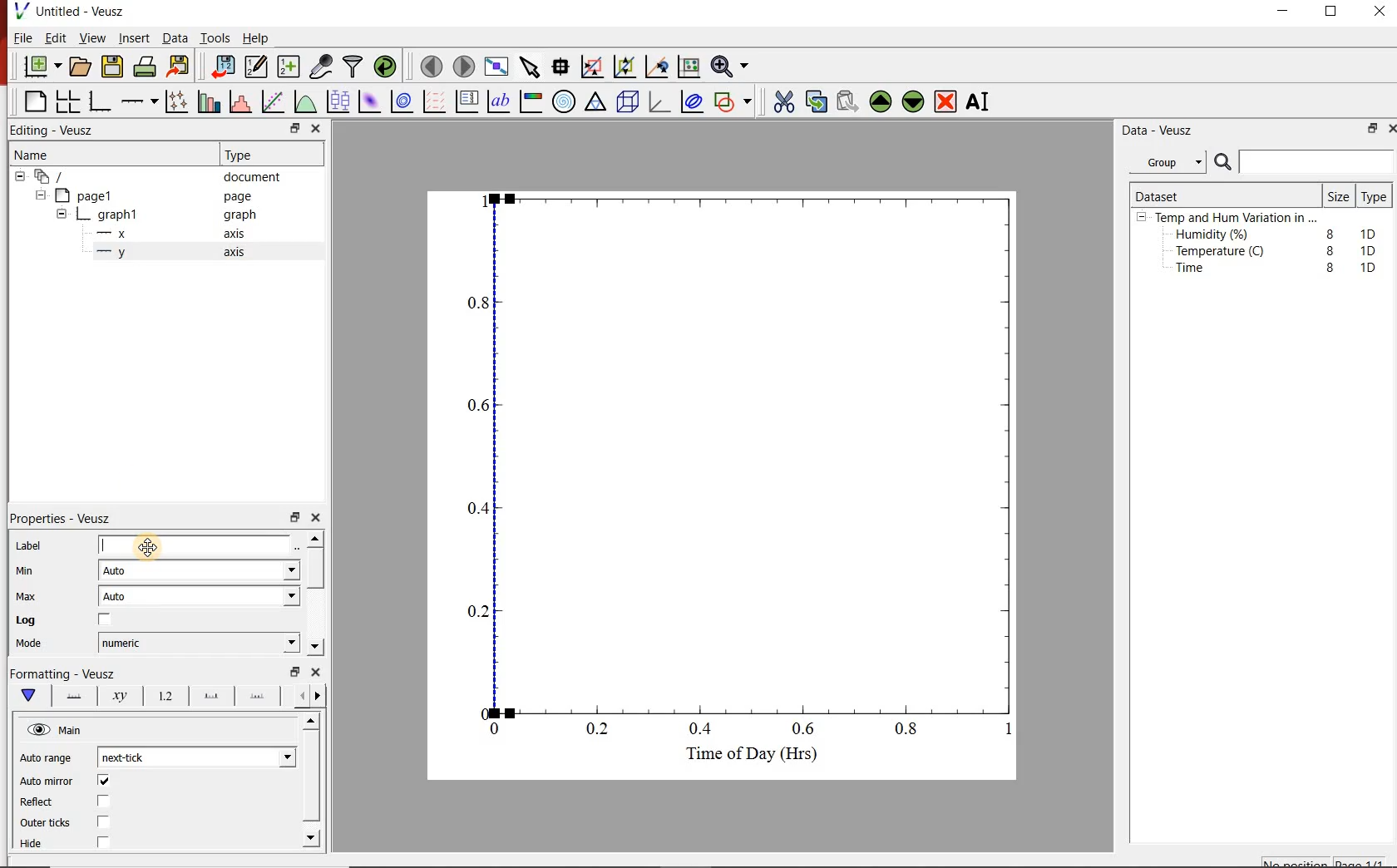  What do you see at coordinates (18, 179) in the screenshot?
I see `hide sub menu` at bounding box center [18, 179].